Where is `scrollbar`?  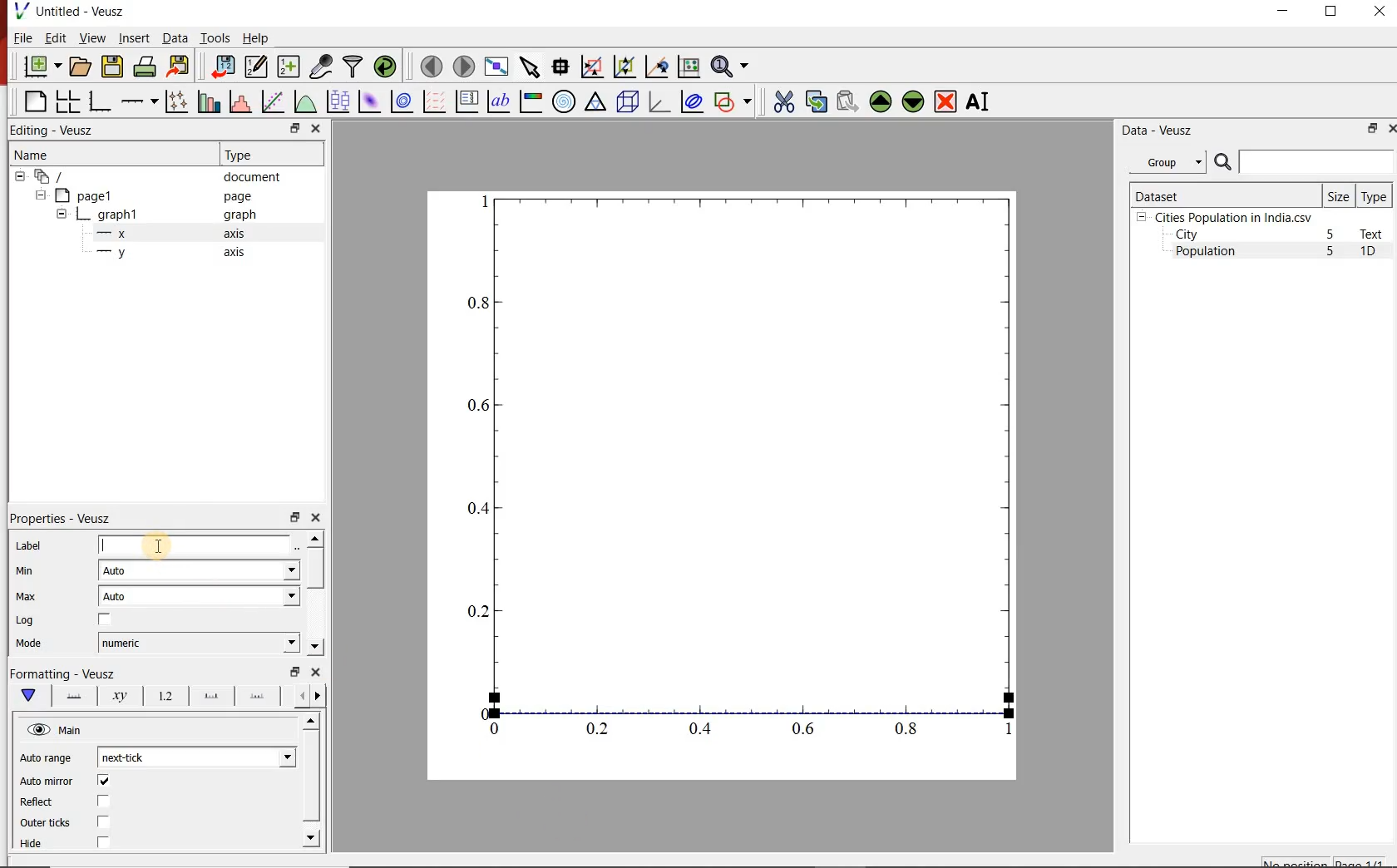 scrollbar is located at coordinates (313, 782).